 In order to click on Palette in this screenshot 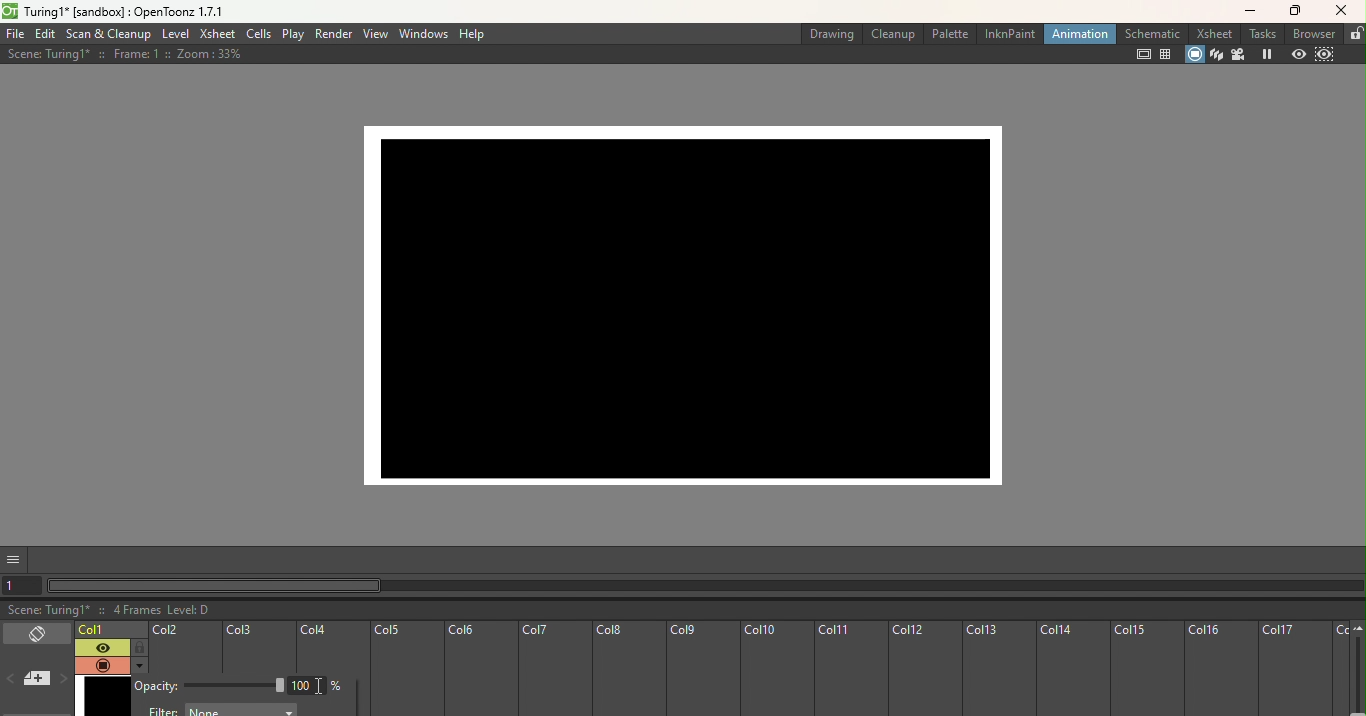, I will do `click(950, 33)`.